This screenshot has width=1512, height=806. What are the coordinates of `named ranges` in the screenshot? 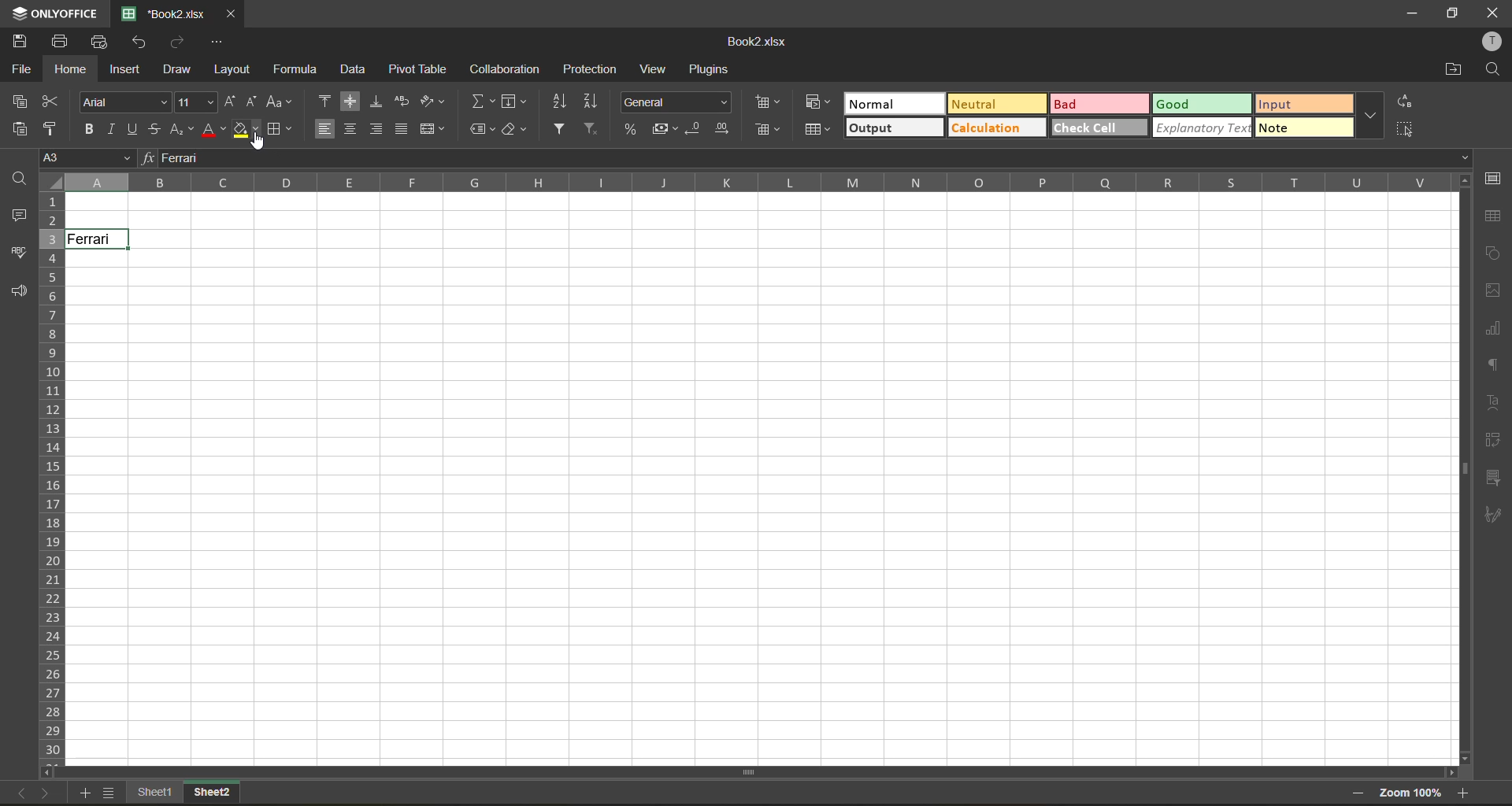 It's located at (480, 131).